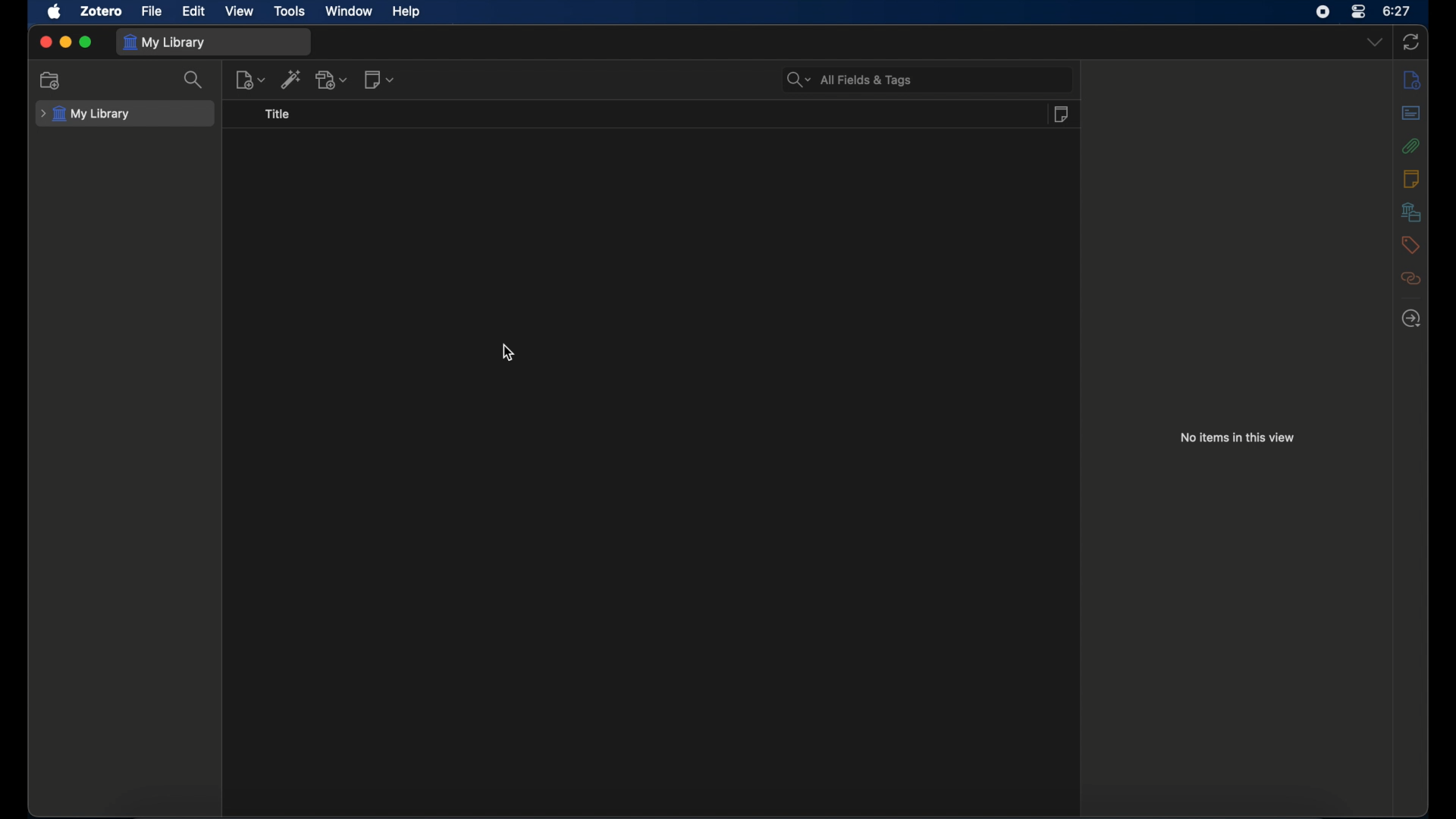 Image resolution: width=1456 pixels, height=819 pixels. I want to click on cursor, so click(508, 353).